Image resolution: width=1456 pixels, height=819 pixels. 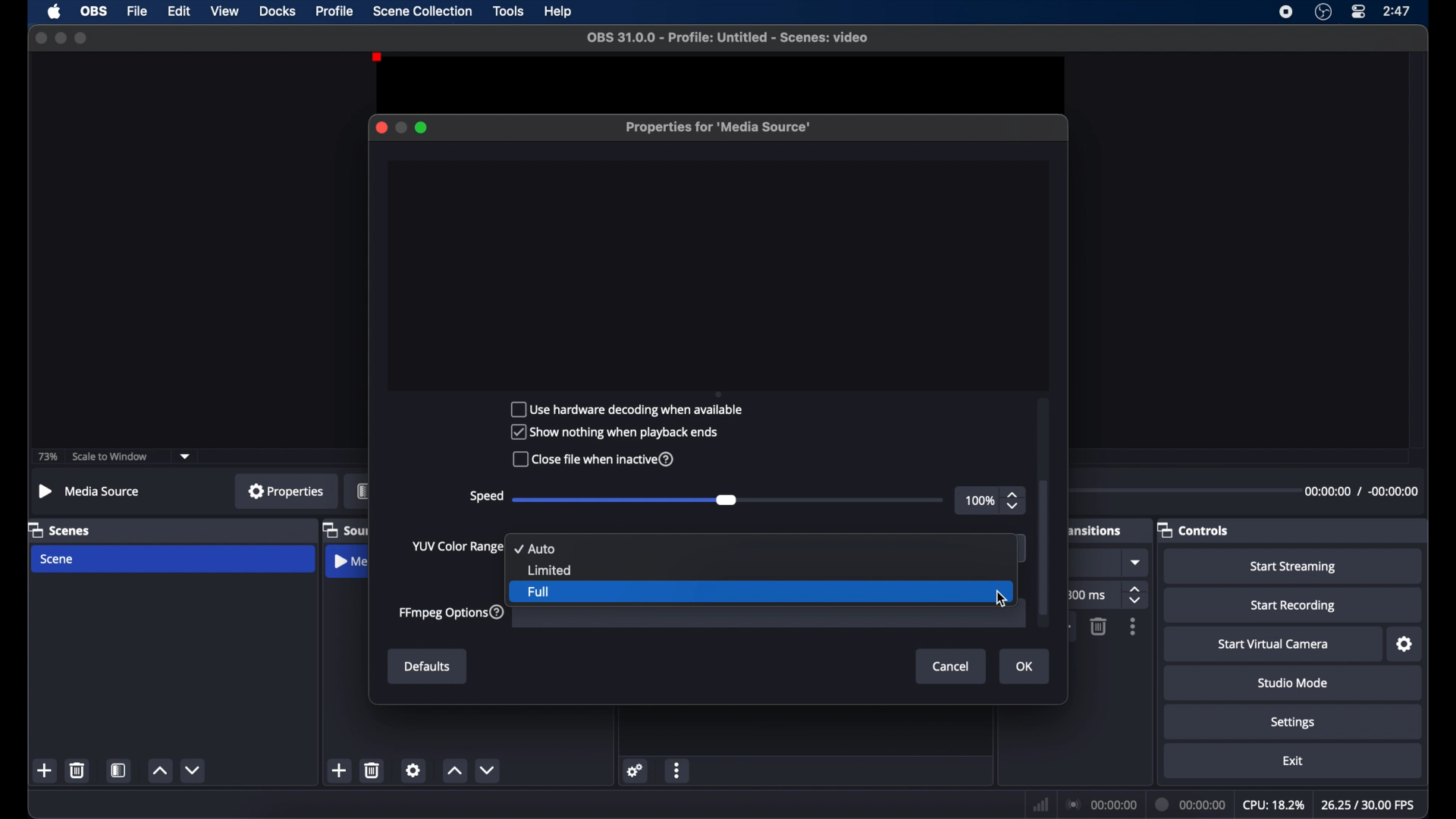 I want to click on scene, so click(x=58, y=559).